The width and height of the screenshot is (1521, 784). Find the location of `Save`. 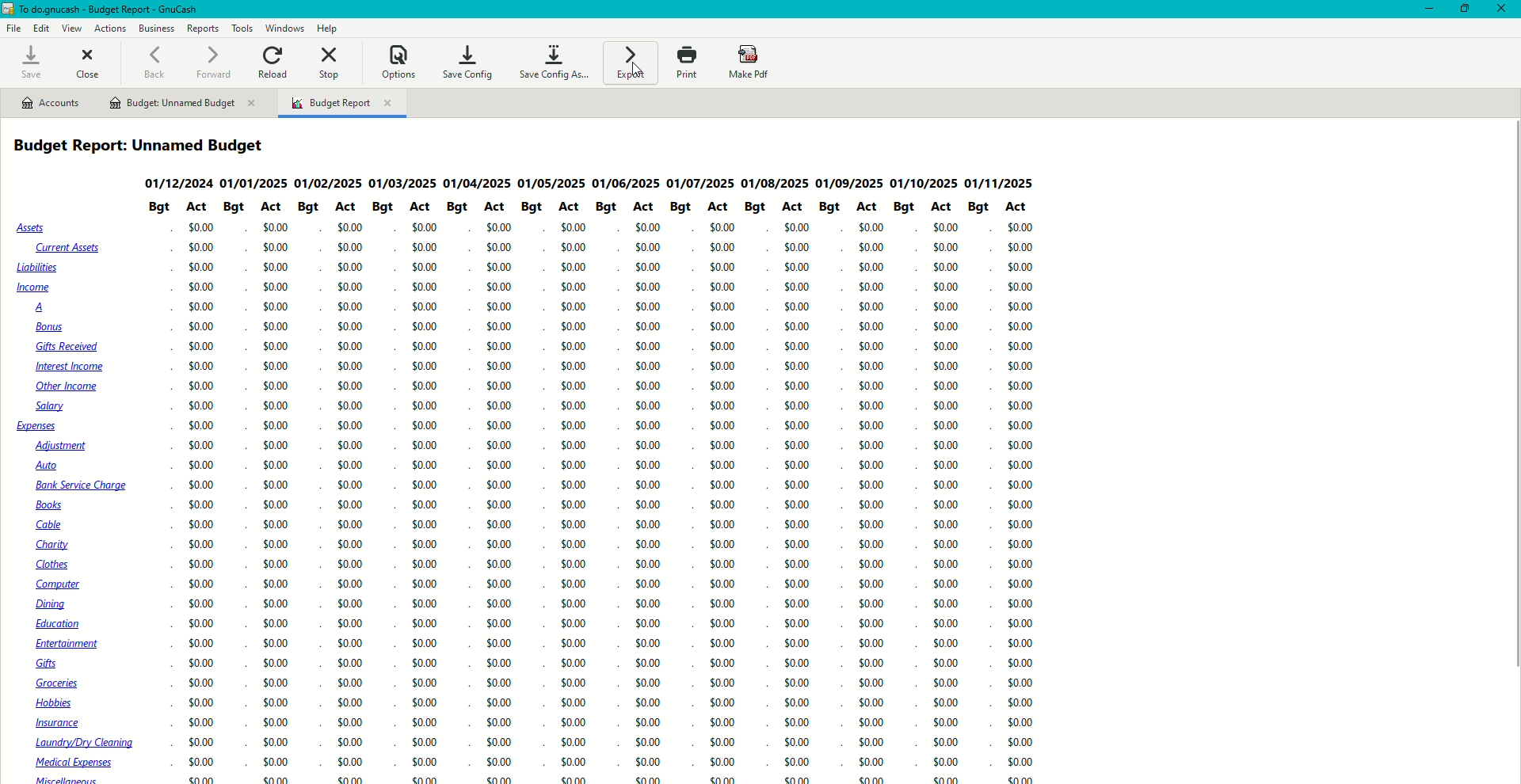

Save is located at coordinates (29, 63).